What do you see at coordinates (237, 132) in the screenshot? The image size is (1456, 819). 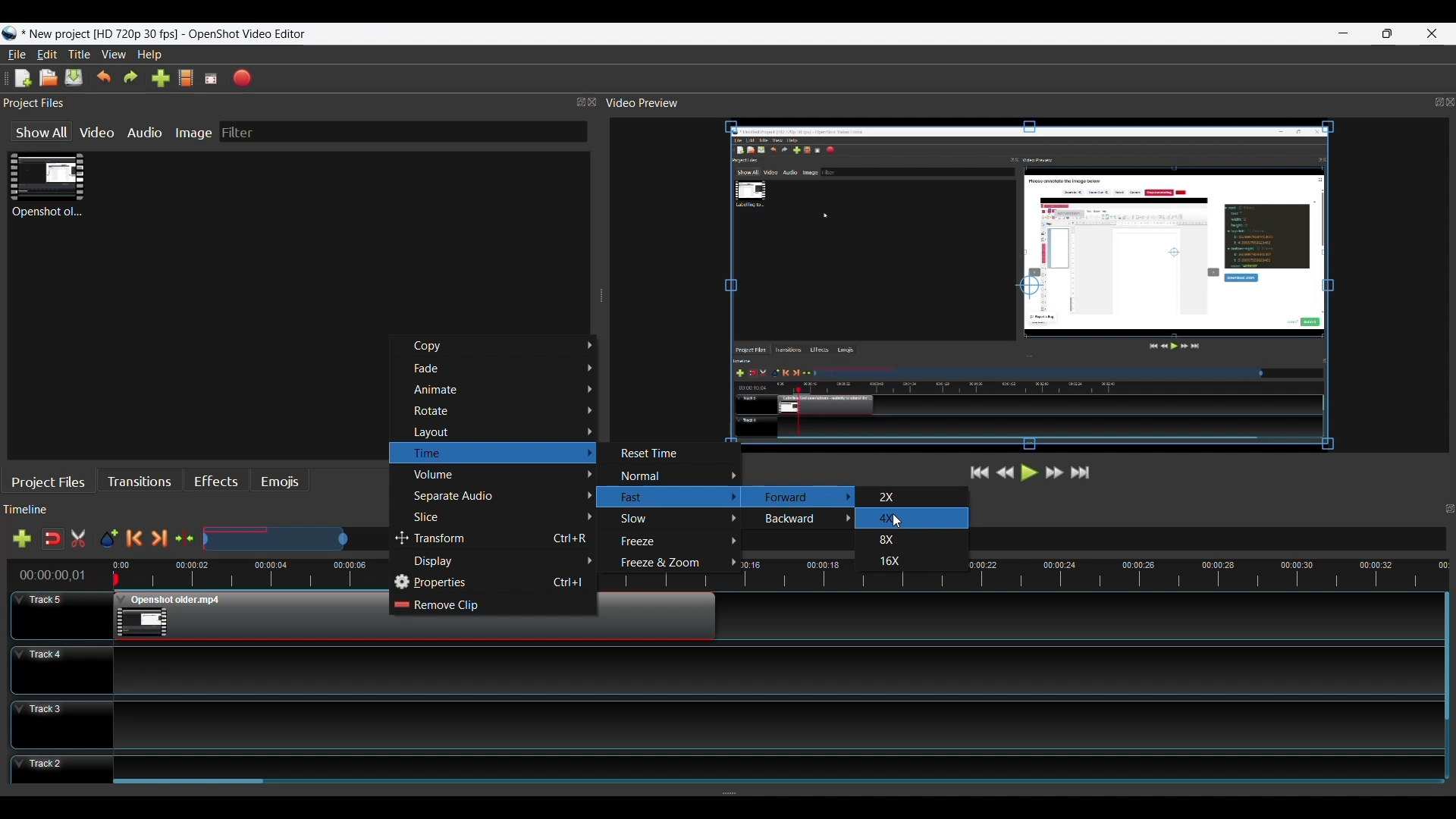 I see `Filter` at bounding box center [237, 132].